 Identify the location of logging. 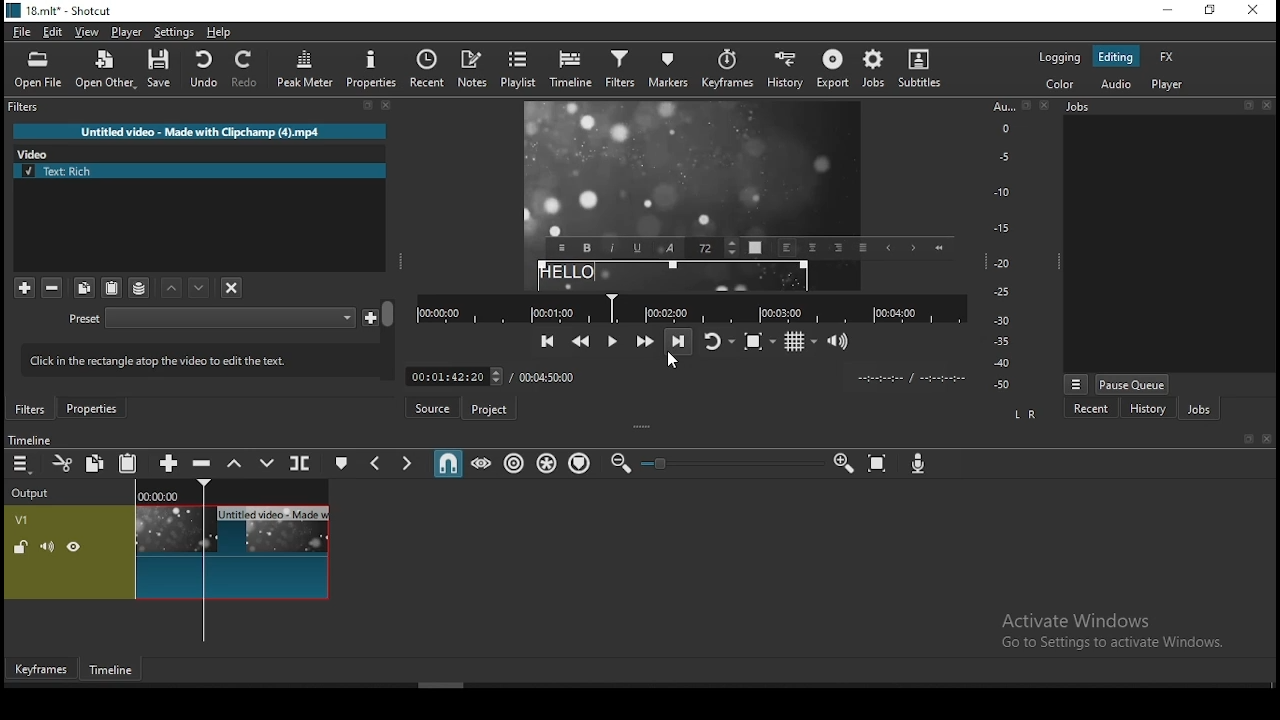
(1061, 57).